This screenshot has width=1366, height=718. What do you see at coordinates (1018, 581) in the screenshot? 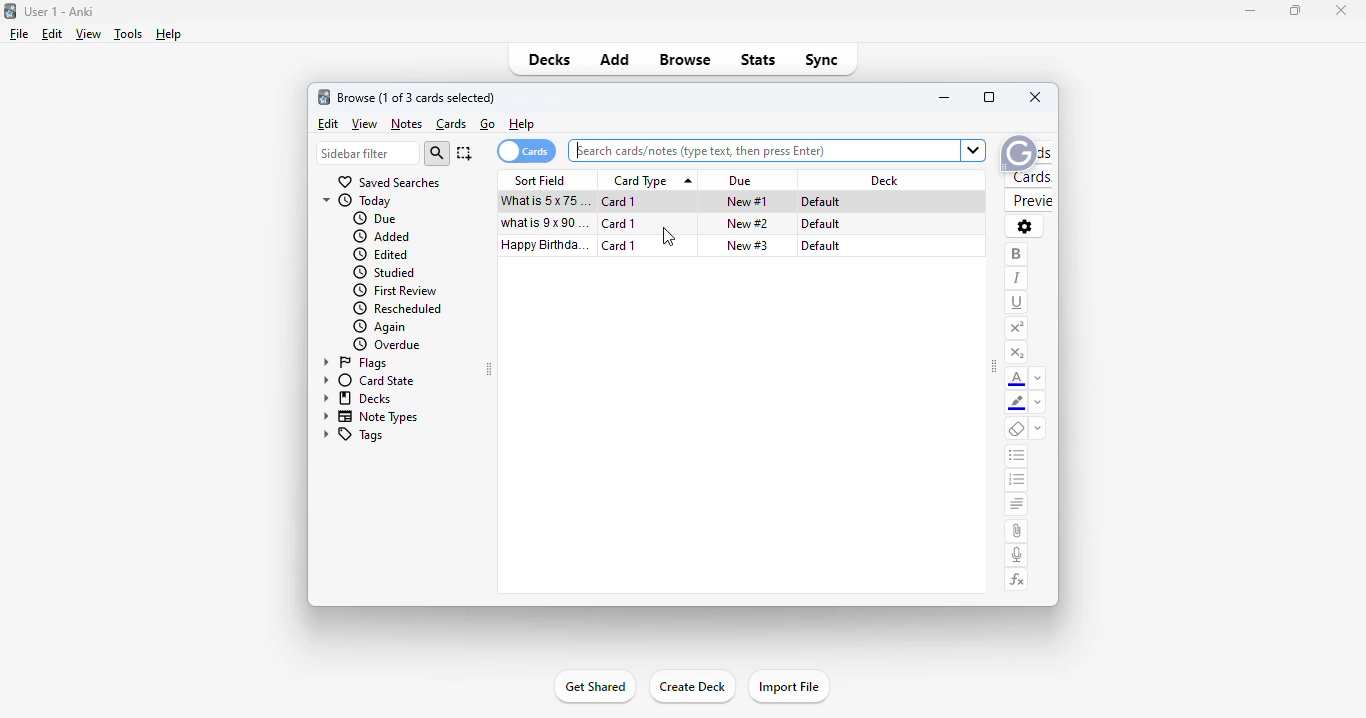
I see `equations` at bounding box center [1018, 581].